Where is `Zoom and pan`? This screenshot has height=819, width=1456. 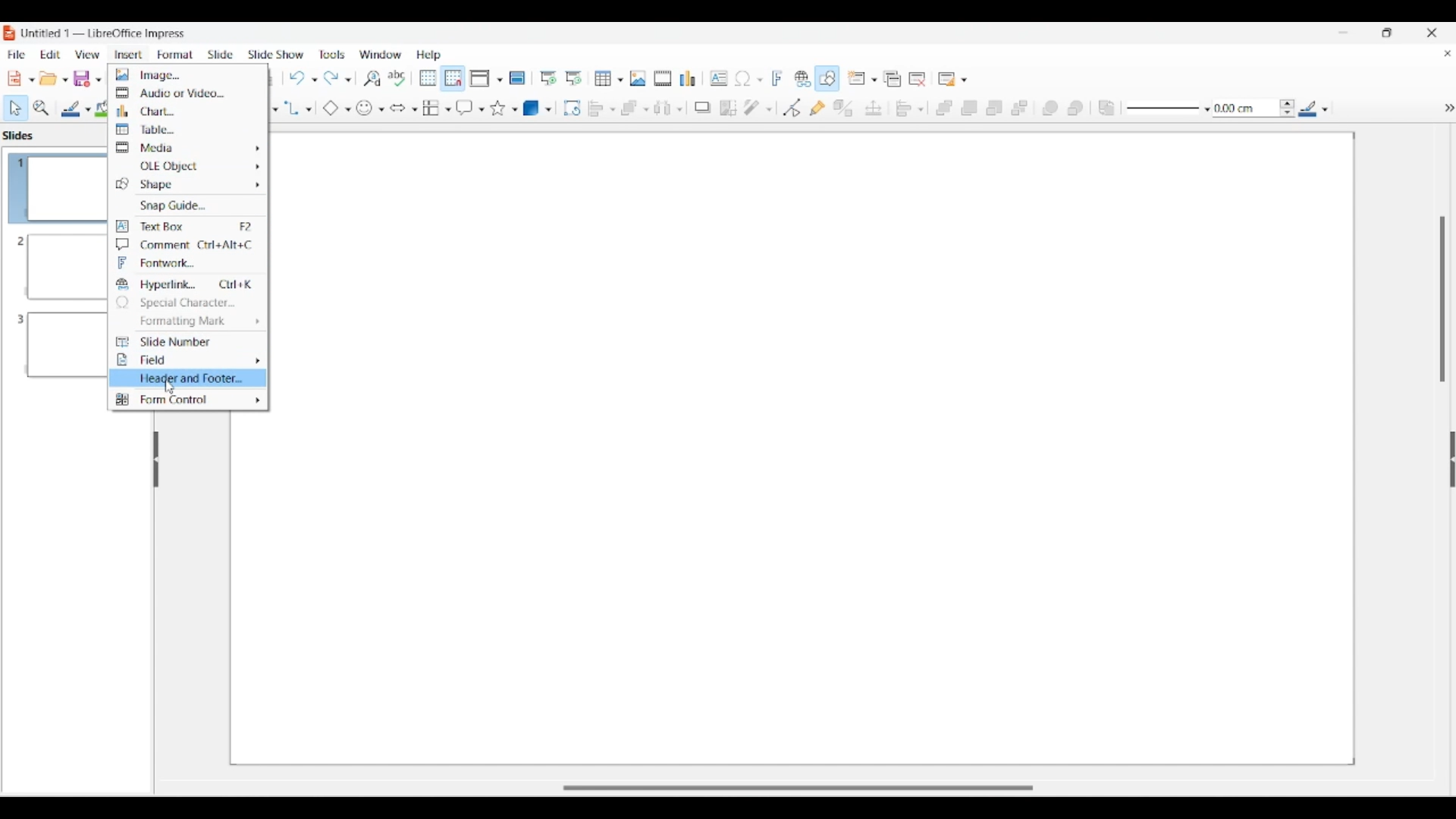 Zoom and pan is located at coordinates (42, 108).